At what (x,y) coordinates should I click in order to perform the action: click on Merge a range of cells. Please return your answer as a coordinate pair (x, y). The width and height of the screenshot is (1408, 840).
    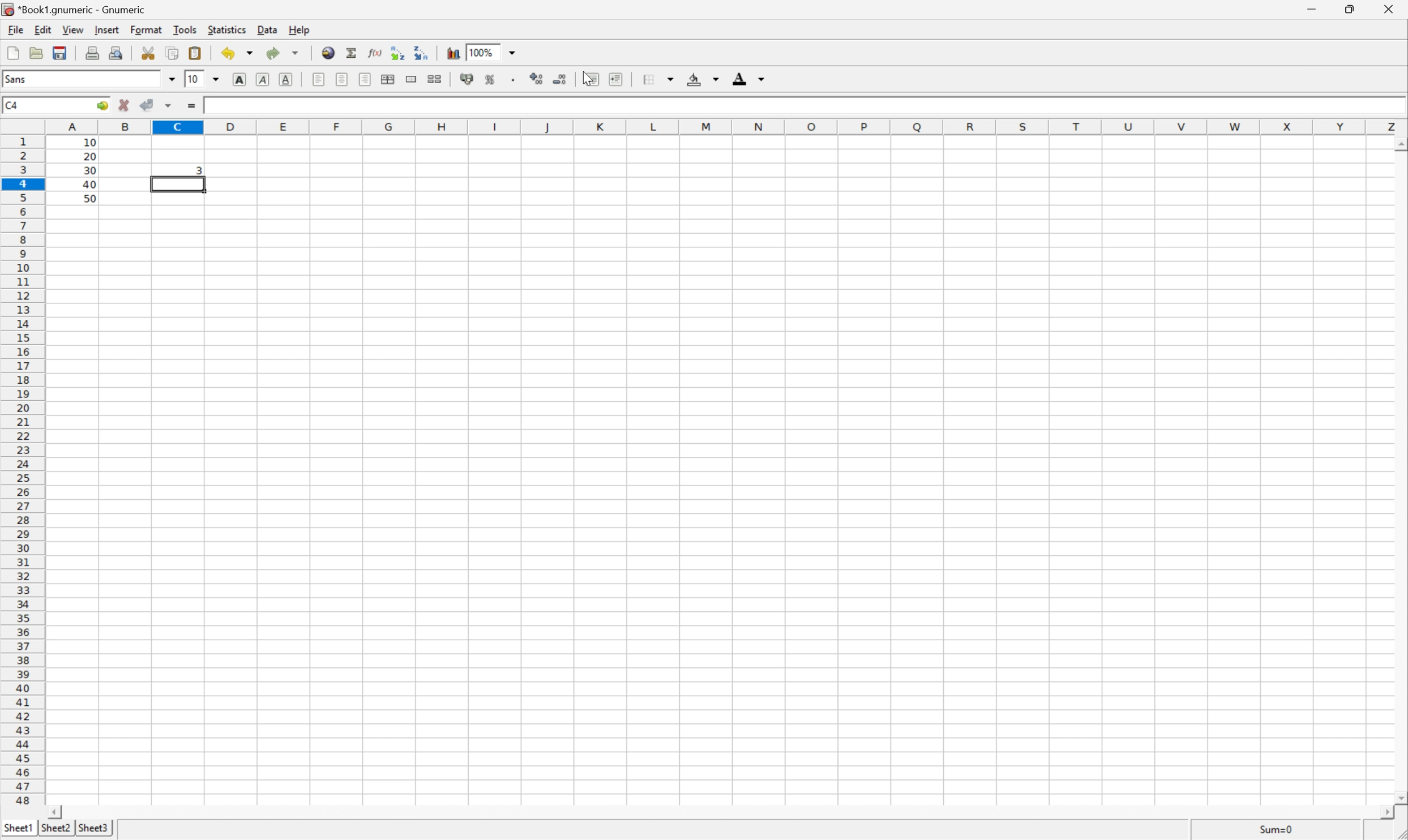
    Looking at the image, I should click on (411, 80).